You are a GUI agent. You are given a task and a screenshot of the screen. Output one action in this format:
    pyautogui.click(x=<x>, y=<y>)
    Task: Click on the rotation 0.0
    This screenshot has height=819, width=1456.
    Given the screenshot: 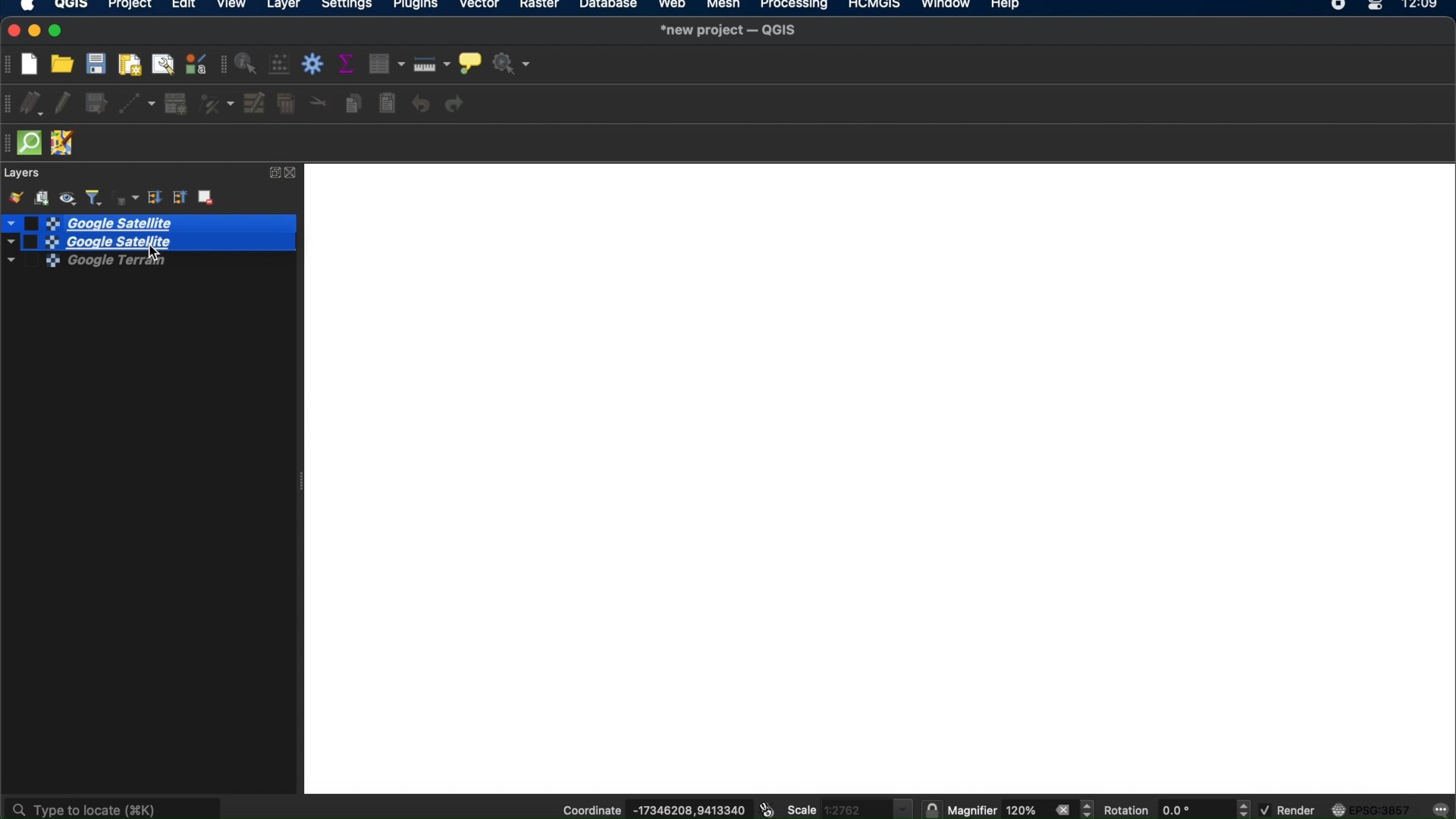 What is the action you would take?
    pyautogui.click(x=1156, y=810)
    